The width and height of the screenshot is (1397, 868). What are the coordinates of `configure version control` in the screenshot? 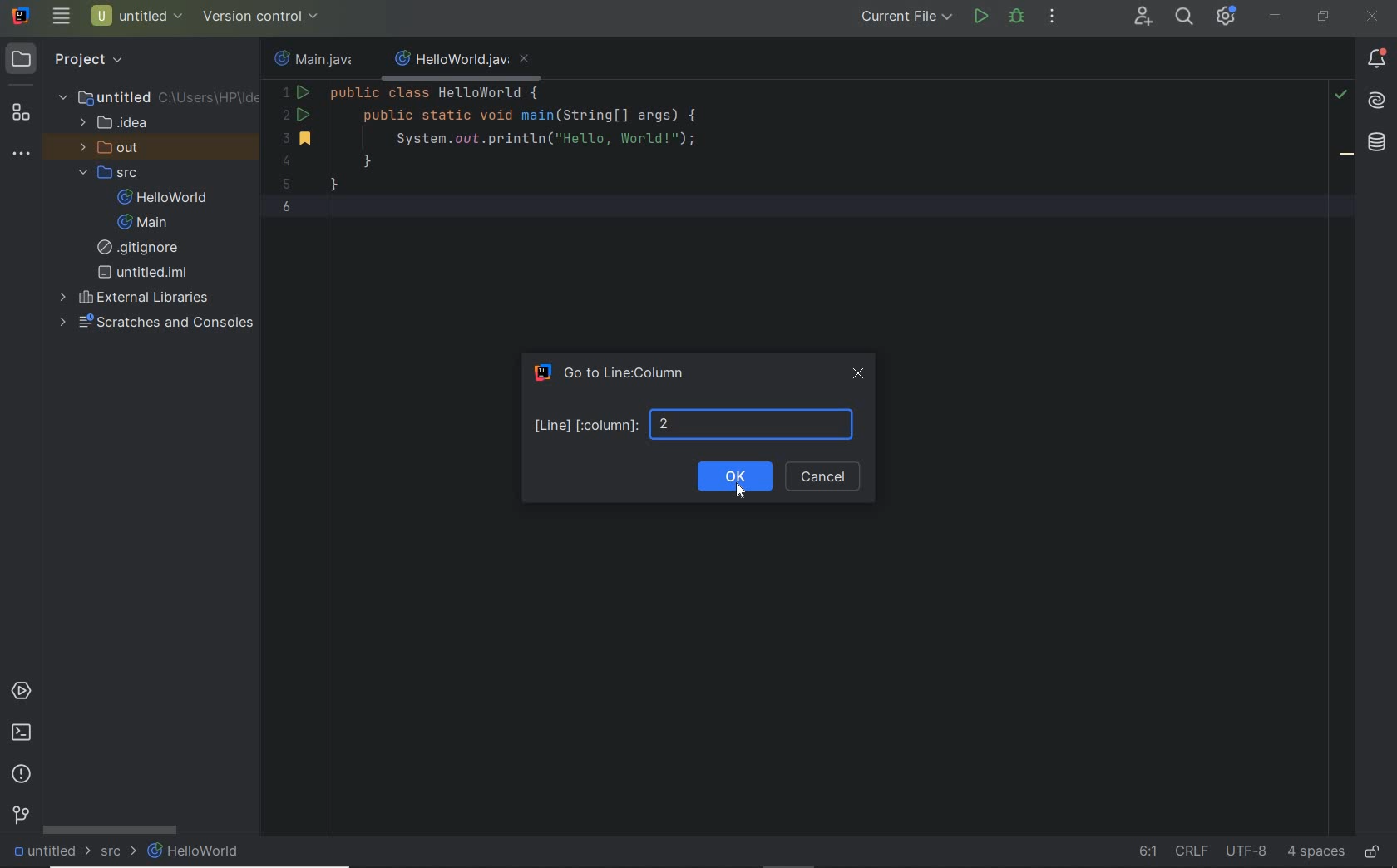 It's located at (259, 17).